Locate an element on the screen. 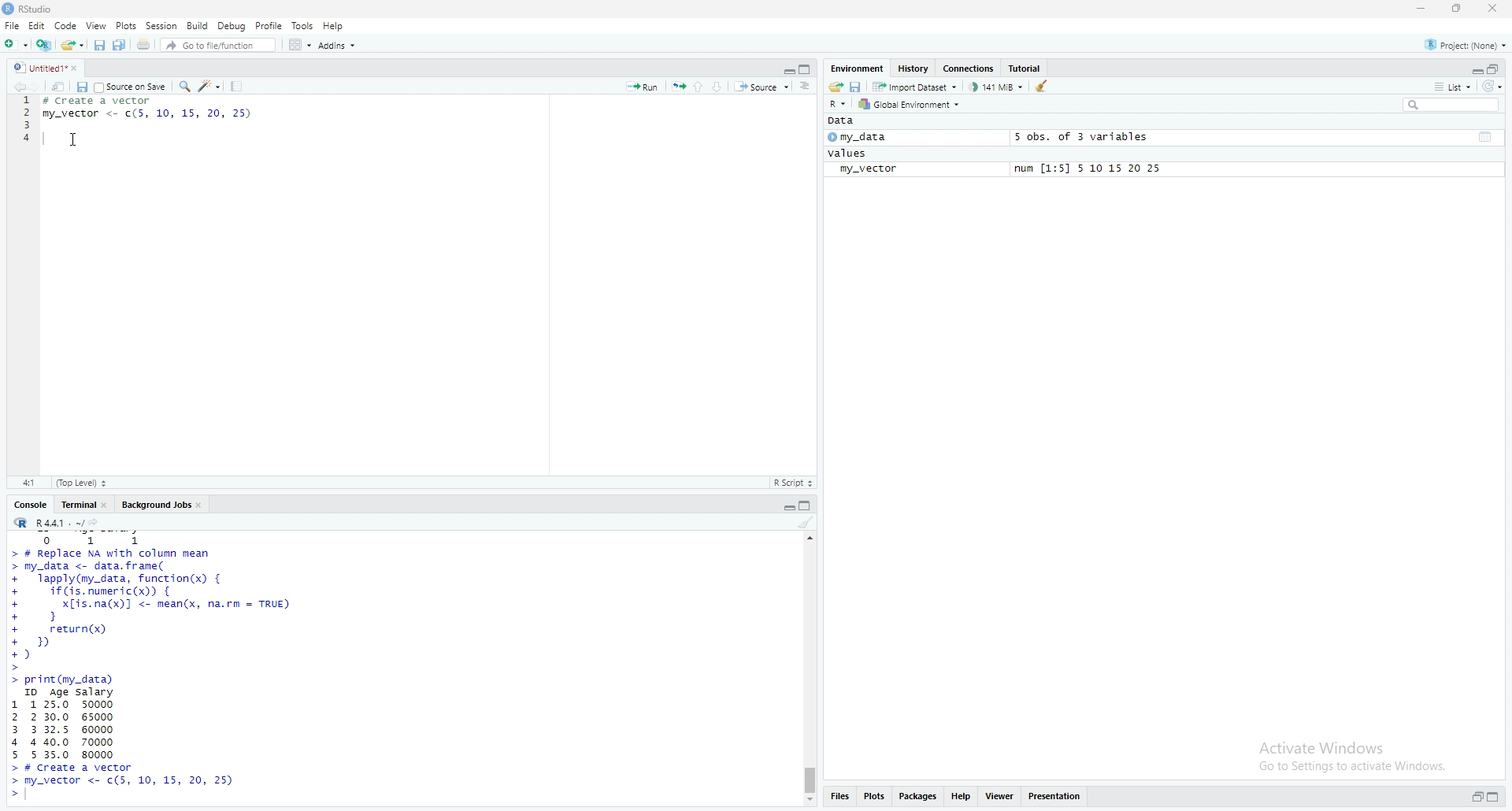  Go to file/function is located at coordinates (217, 46).